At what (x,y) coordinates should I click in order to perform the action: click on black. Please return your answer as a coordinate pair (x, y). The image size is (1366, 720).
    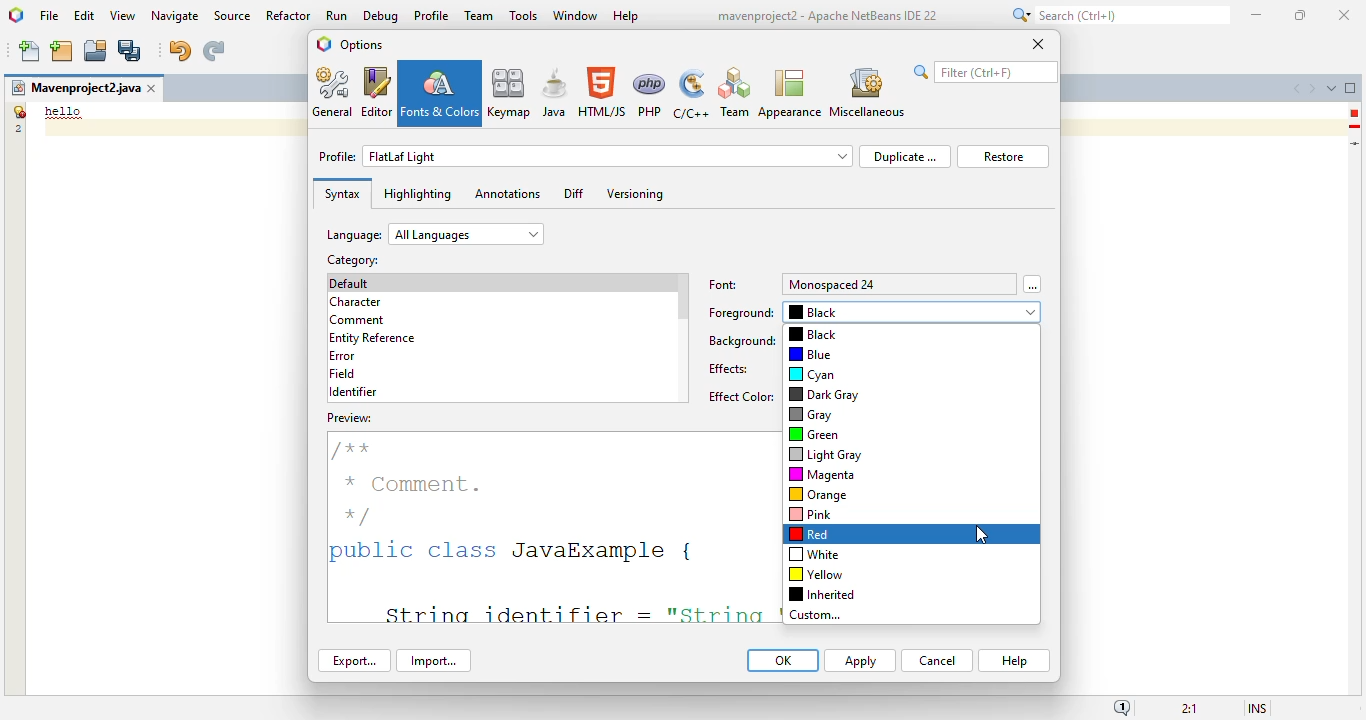
    Looking at the image, I should click on (914, 313).